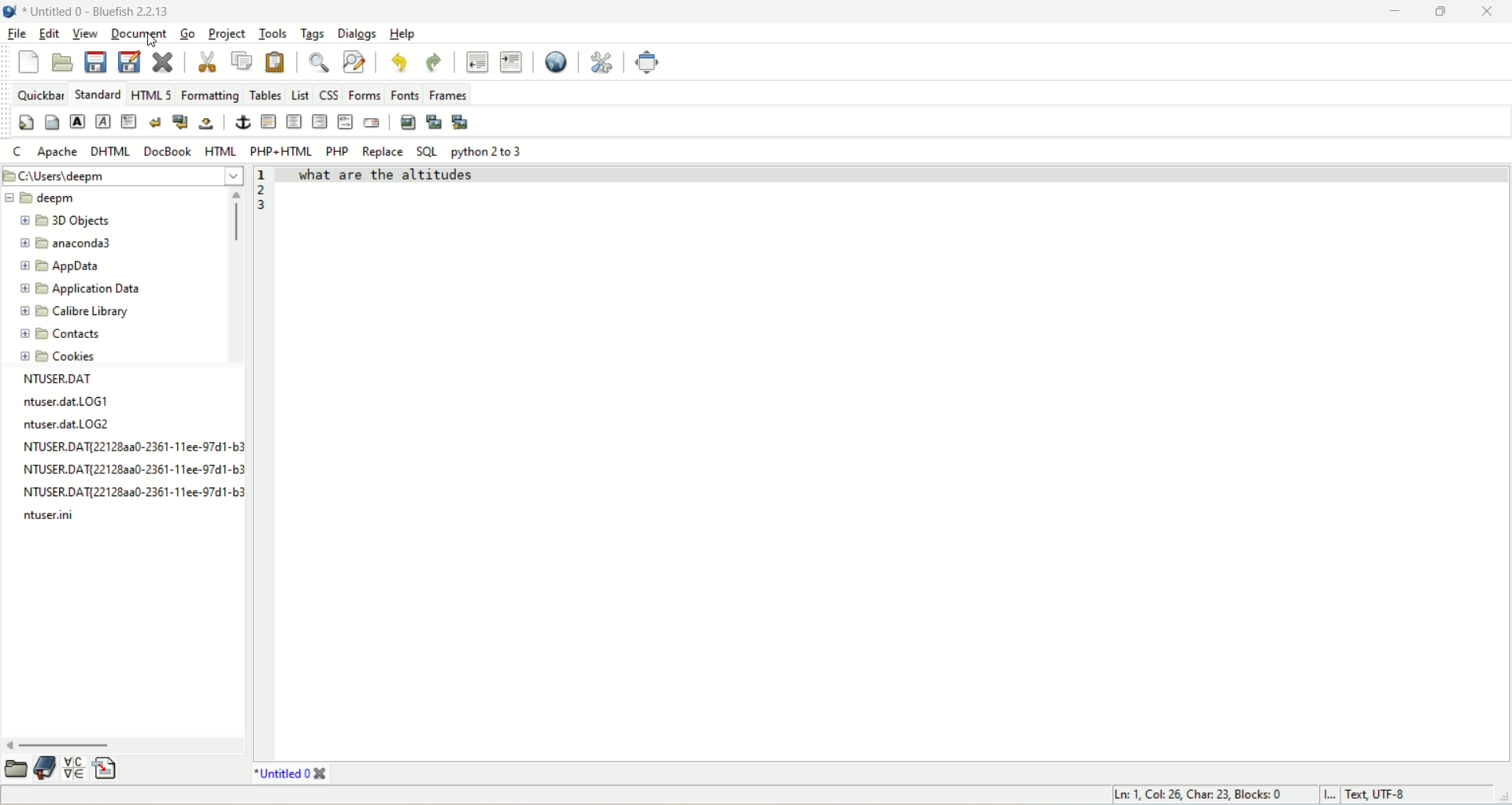 The image size is (1512, 805). I want to click on SQL, so click(426, 150).